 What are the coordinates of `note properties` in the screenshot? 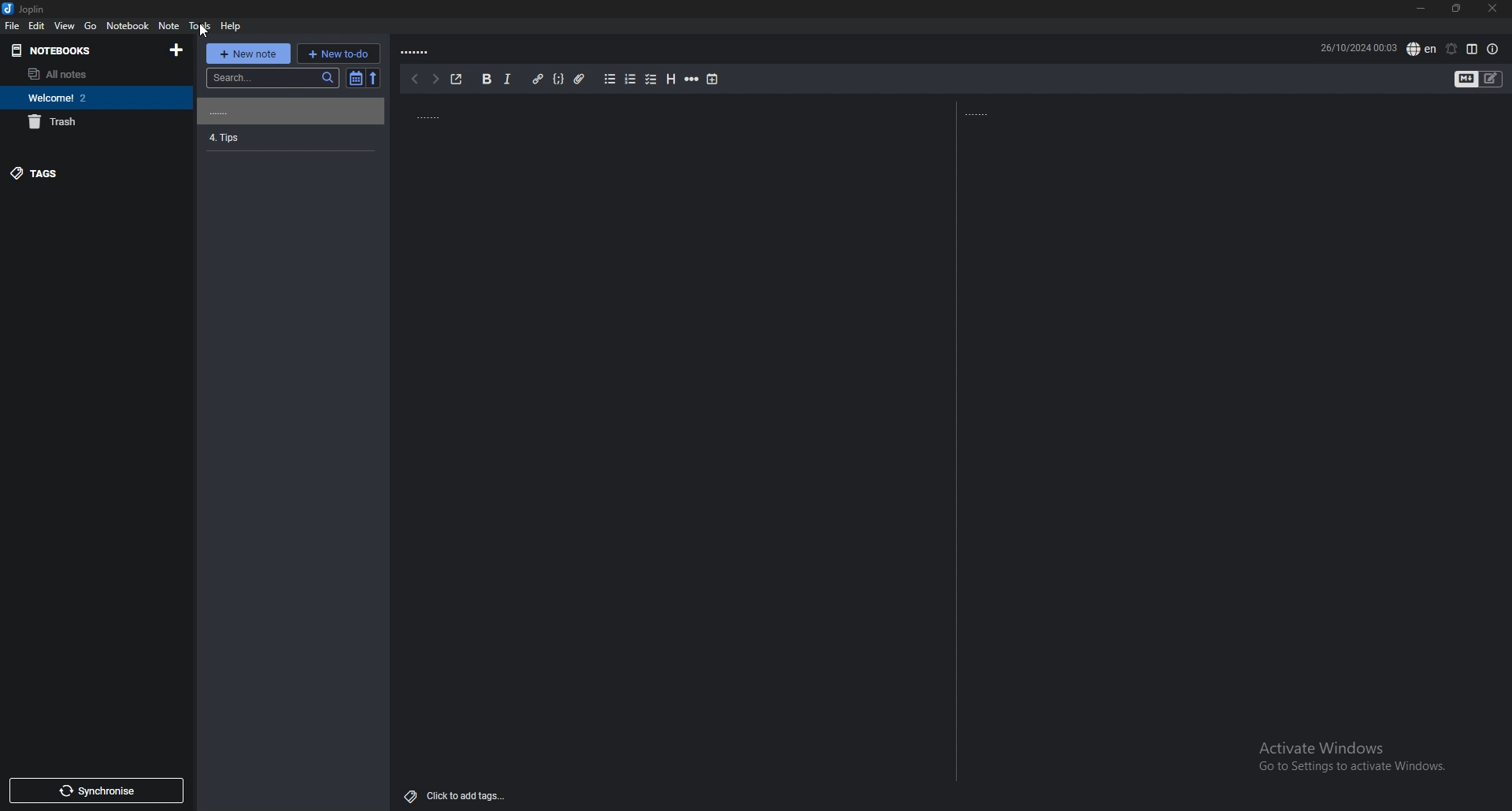 It's located at (1493, 50).